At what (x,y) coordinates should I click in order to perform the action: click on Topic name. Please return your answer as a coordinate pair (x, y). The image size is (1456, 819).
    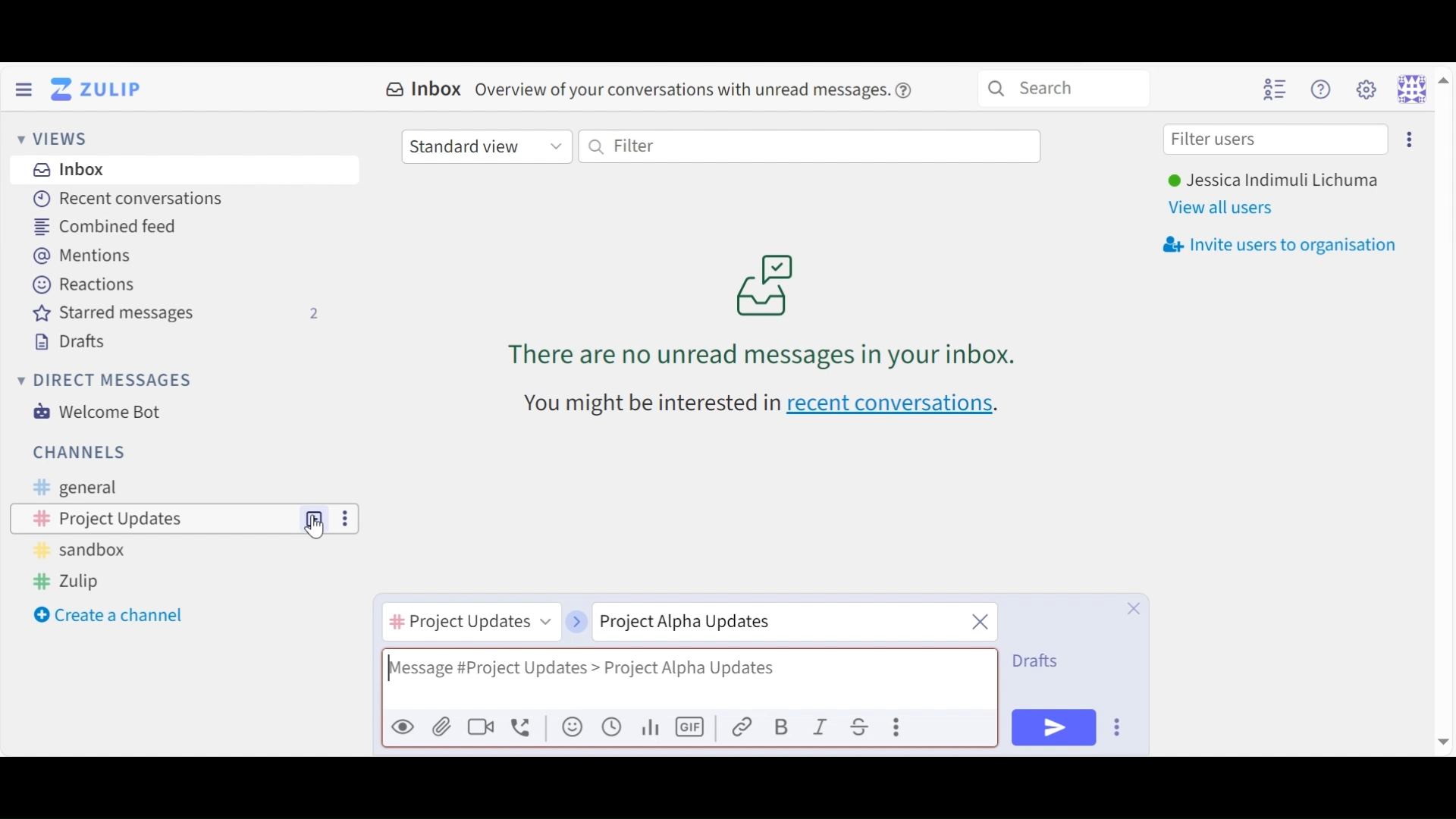
    Looking at the image, I should click on (766, 623).